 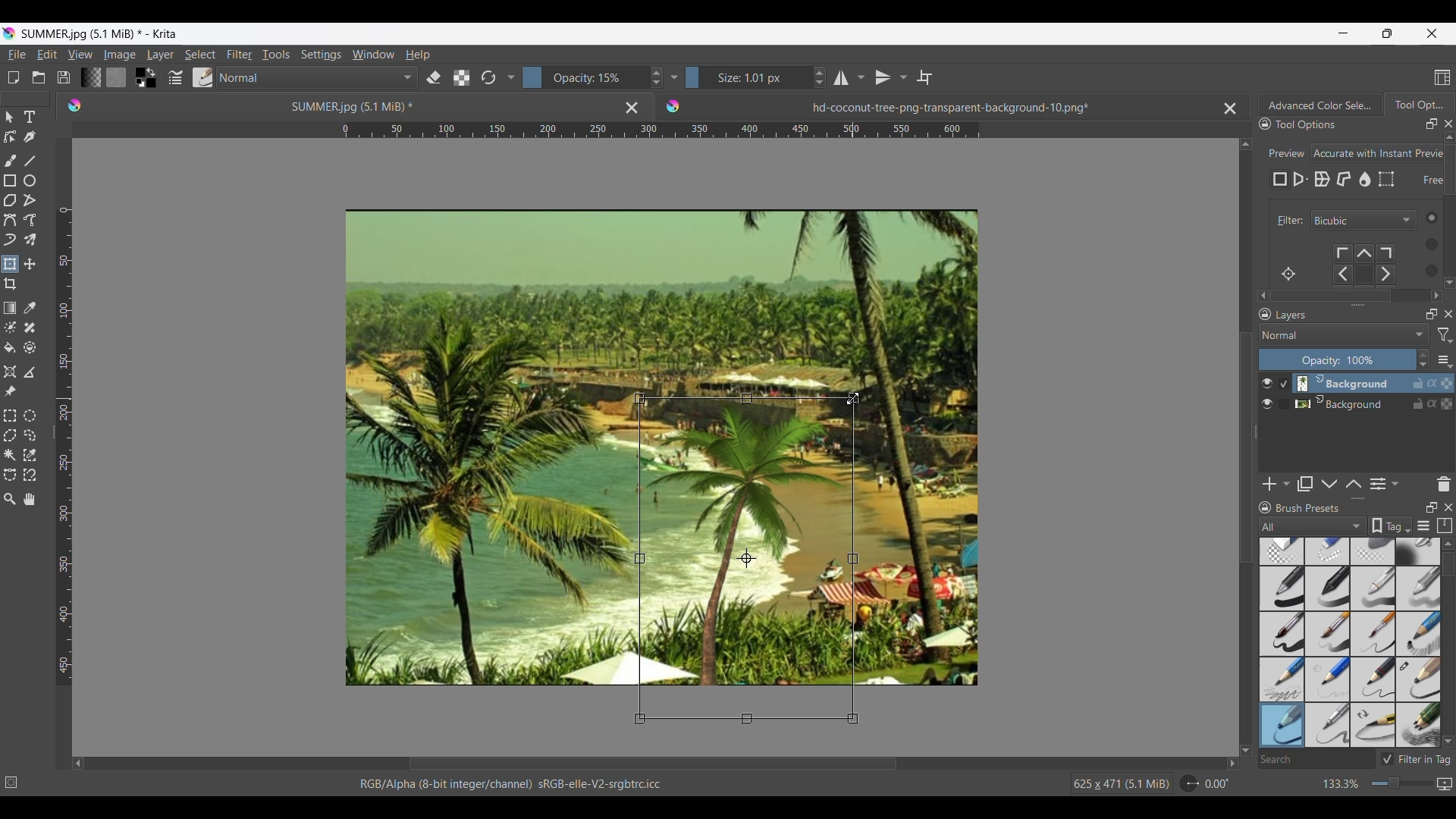 What do you see at coordinates (1418, 551) in the screenshot?
I see `airbrush soft` at bounding box center [1418, 551].